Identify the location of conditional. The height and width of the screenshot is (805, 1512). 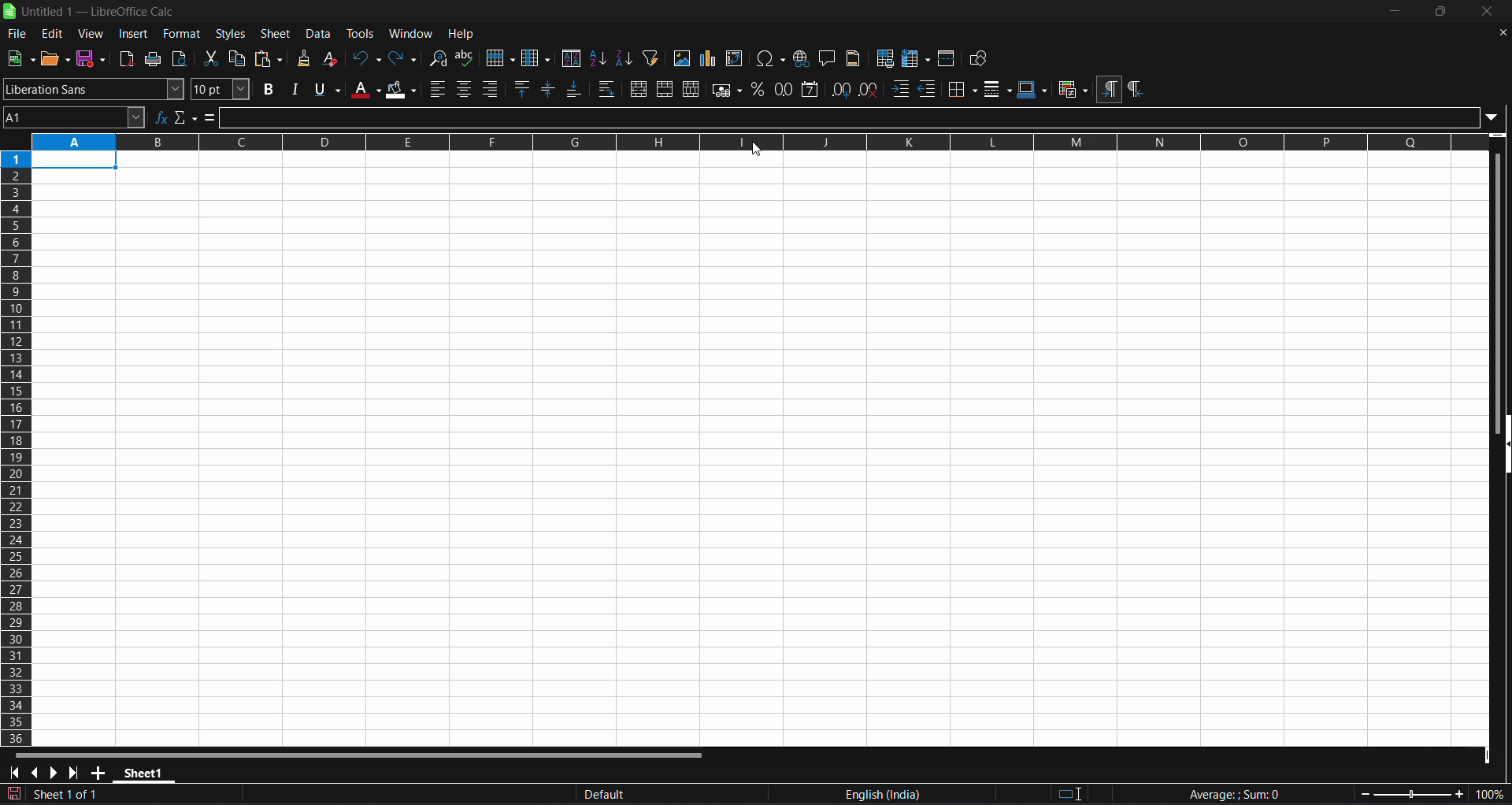
(1073, 90).